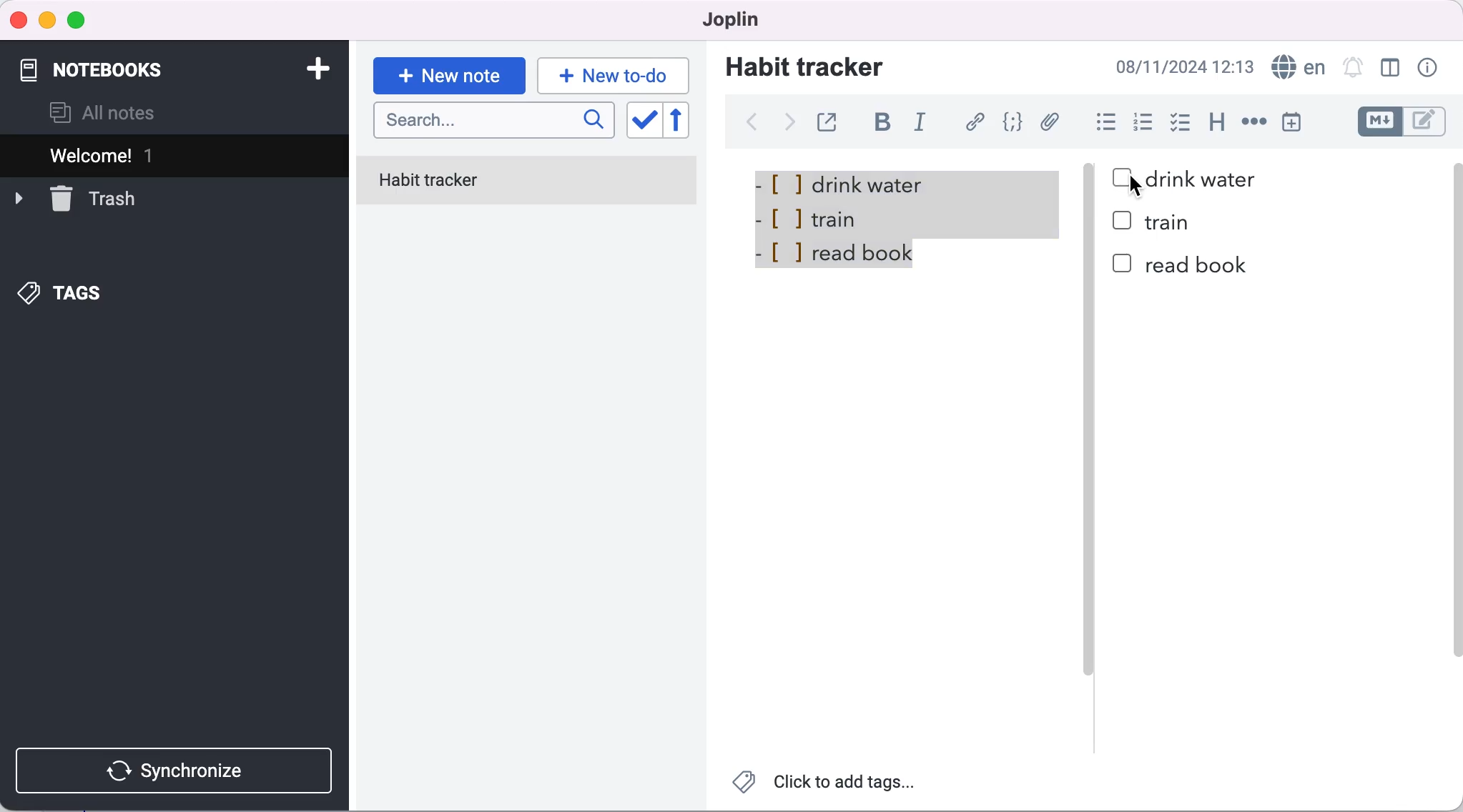 The width and height of the screenshot is (1463, 812). Describe the element at coordinates (1296, 67) in the screenshot. I see `language` at that location.